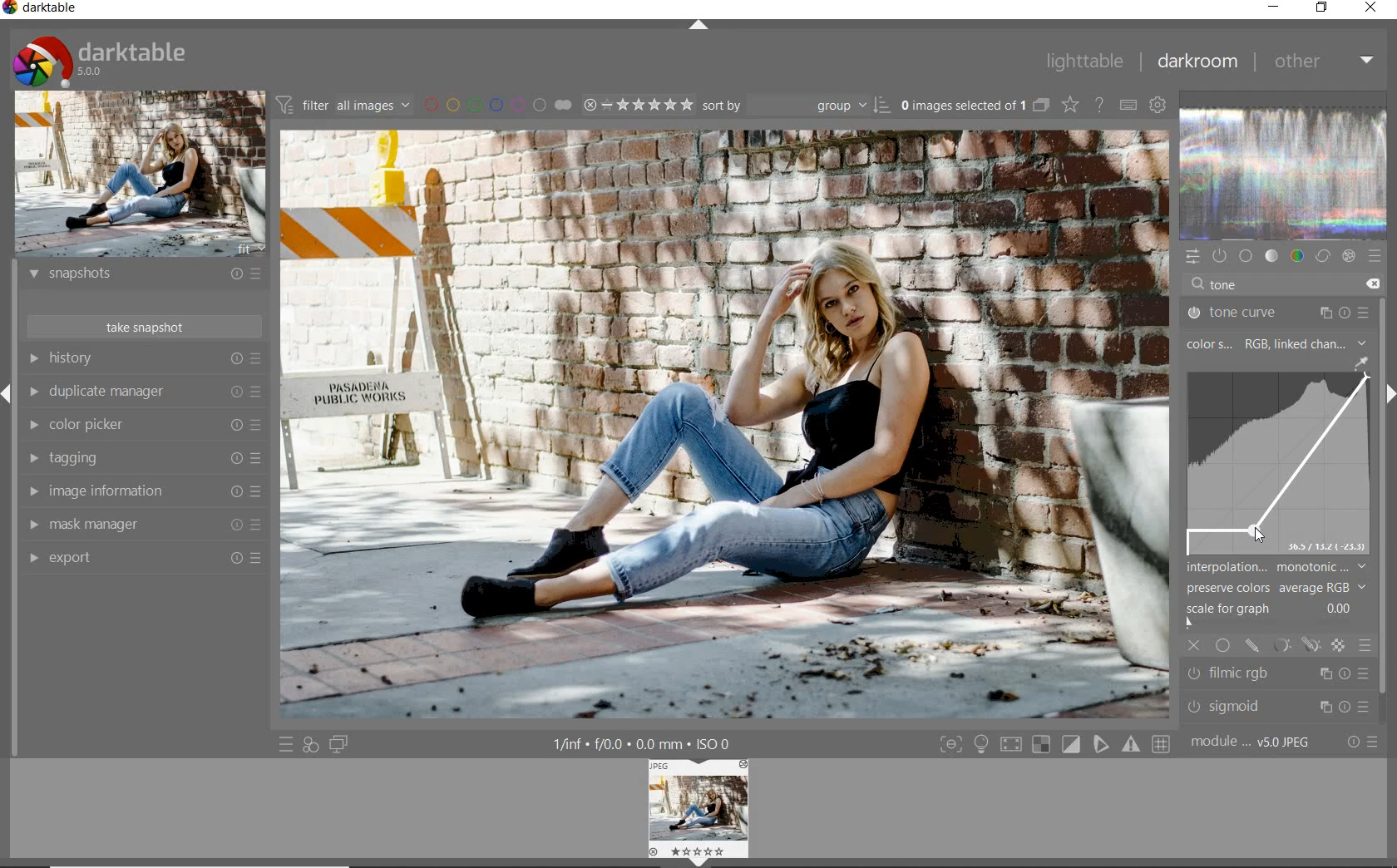 The width and height of the screenshot is (1397, 868). Describe the element at coordinates (1275, 7) in the screenshot. I see `minimize` at that location.